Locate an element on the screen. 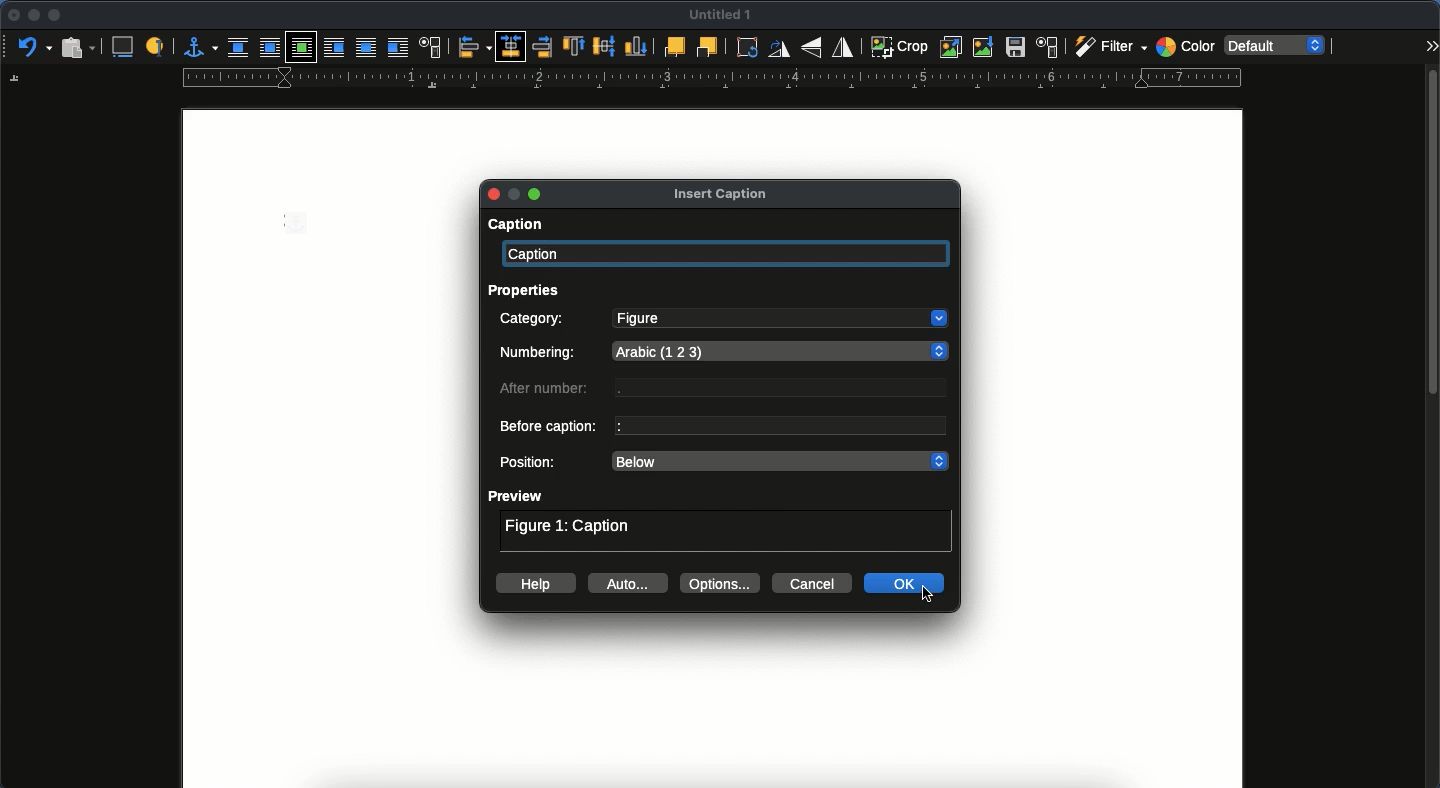 The height and width of the screenshot is (788, 1440). caption is located at coordinates (512, 226).